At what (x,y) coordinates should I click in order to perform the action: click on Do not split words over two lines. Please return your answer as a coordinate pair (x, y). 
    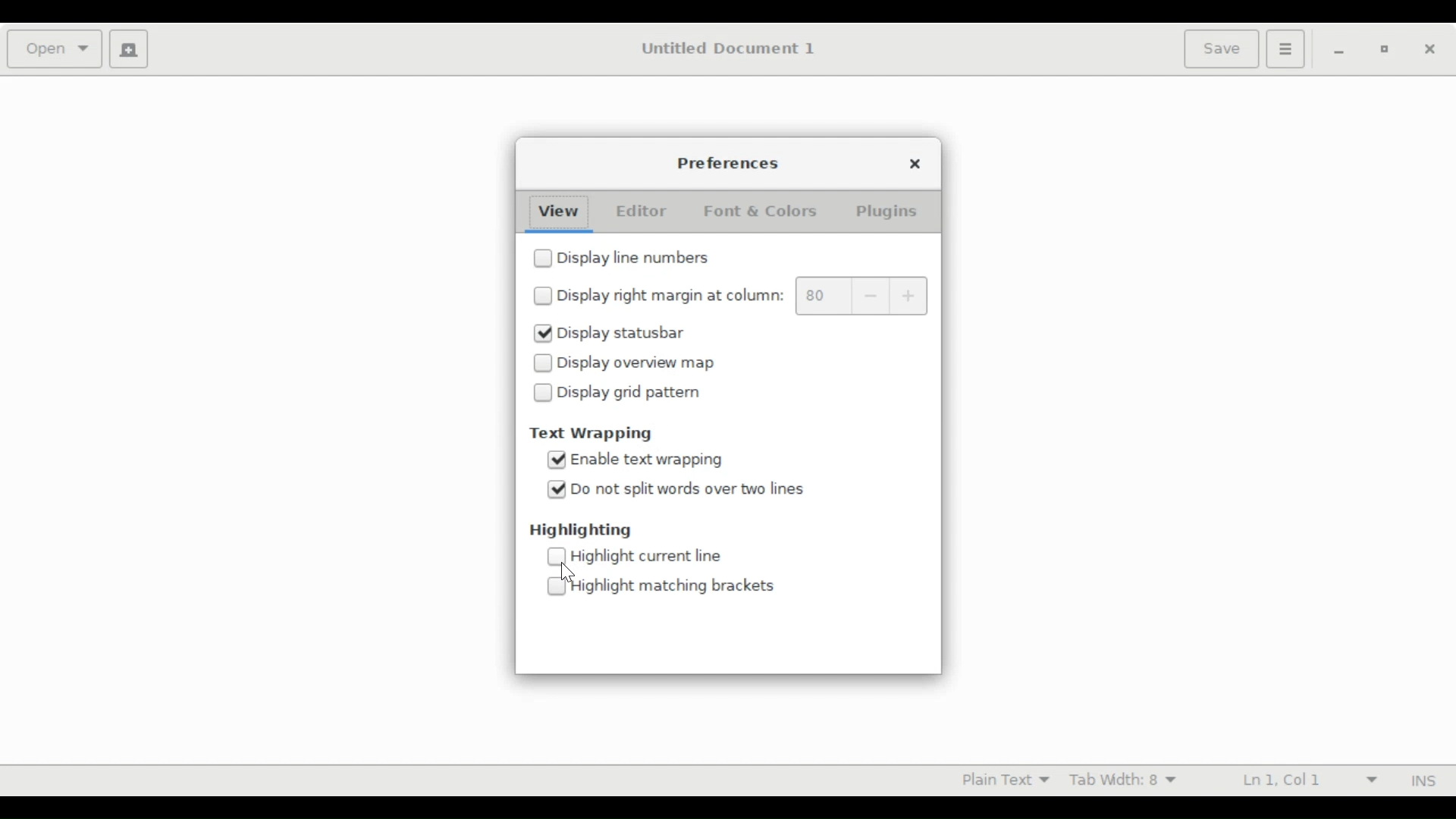
    Looking at the image, I should click on (689, 488).